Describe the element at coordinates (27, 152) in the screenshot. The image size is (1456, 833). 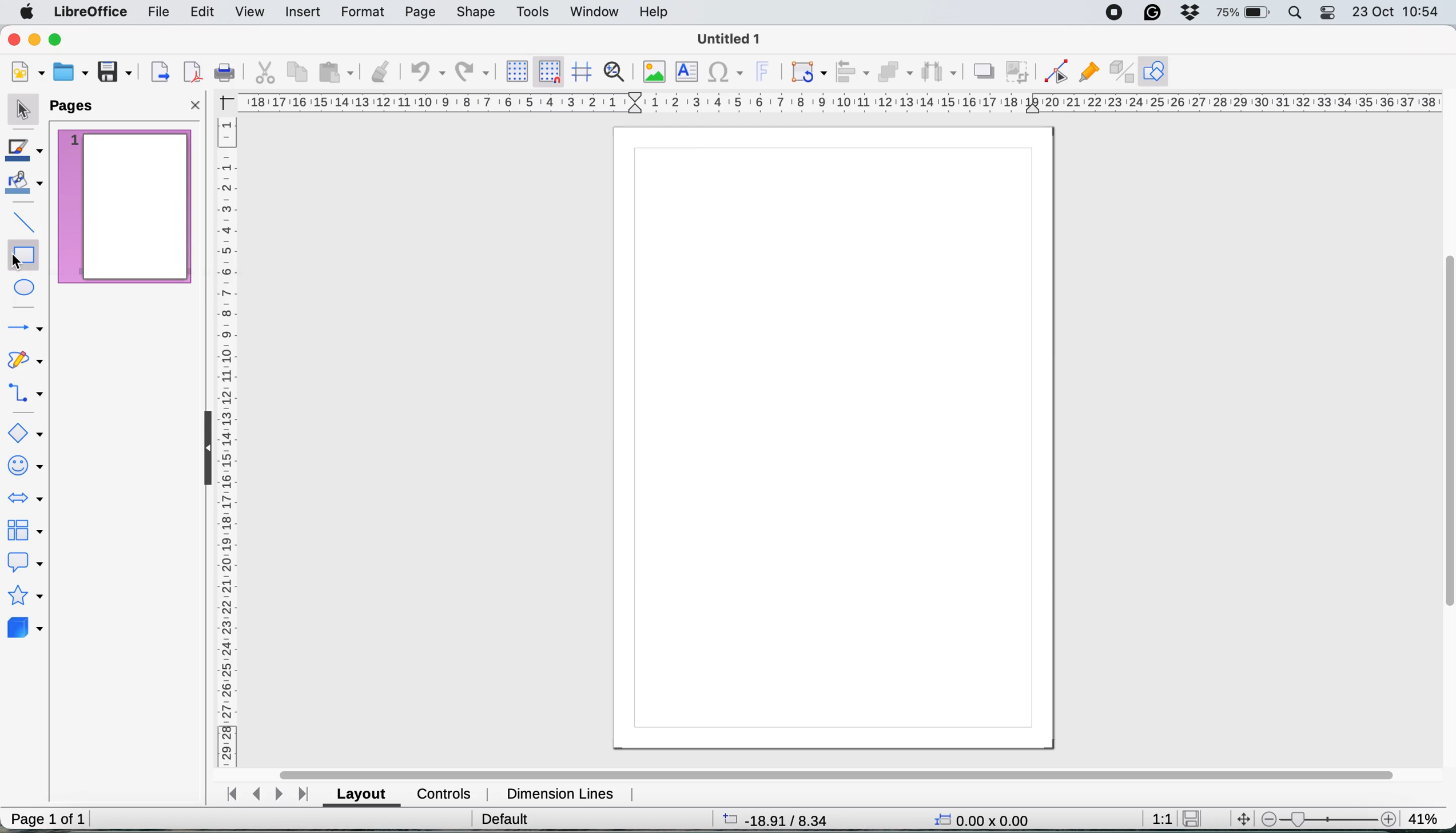
I see `line color` at that location.